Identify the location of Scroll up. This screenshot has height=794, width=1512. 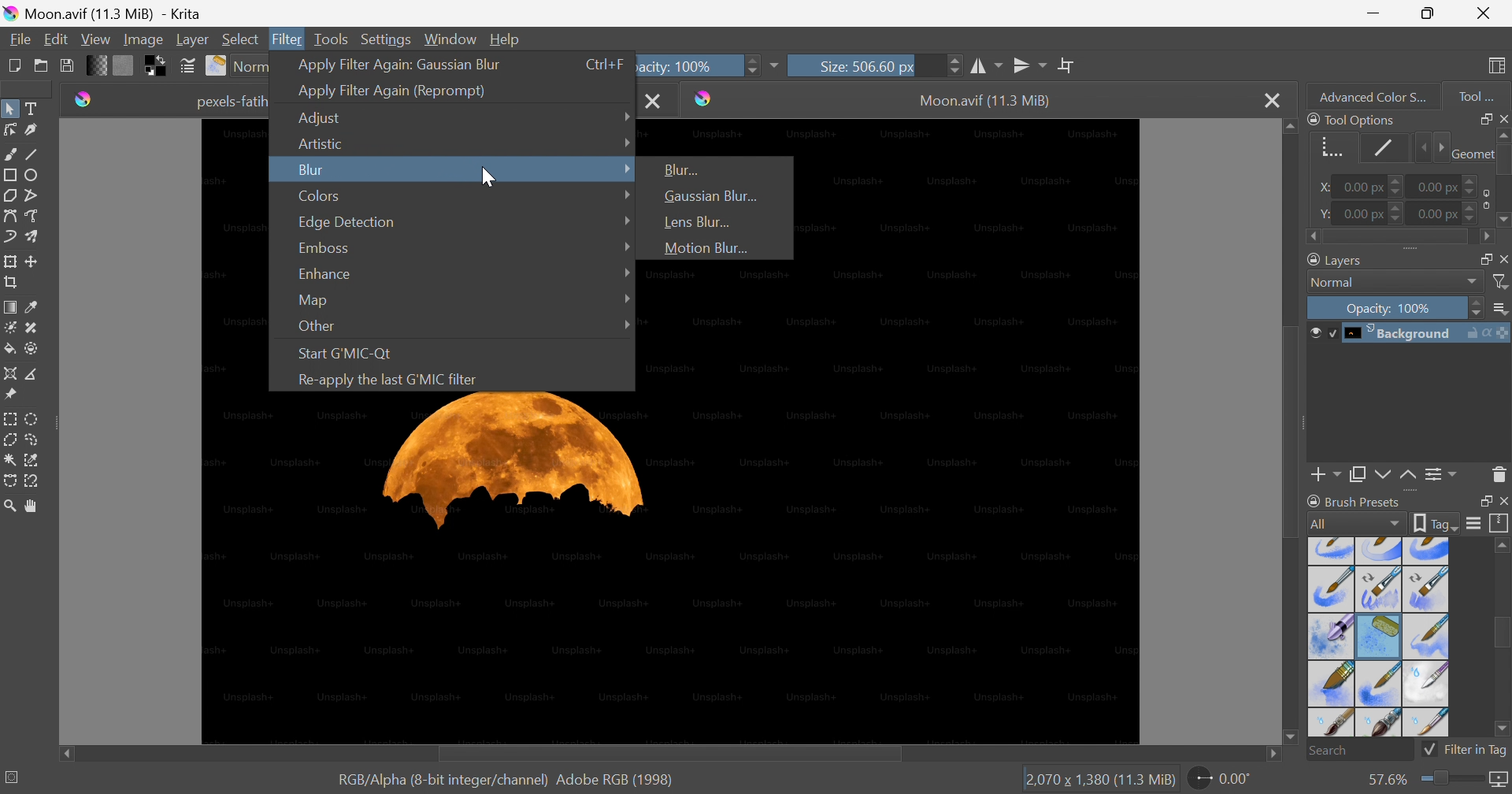
(1289, 126).